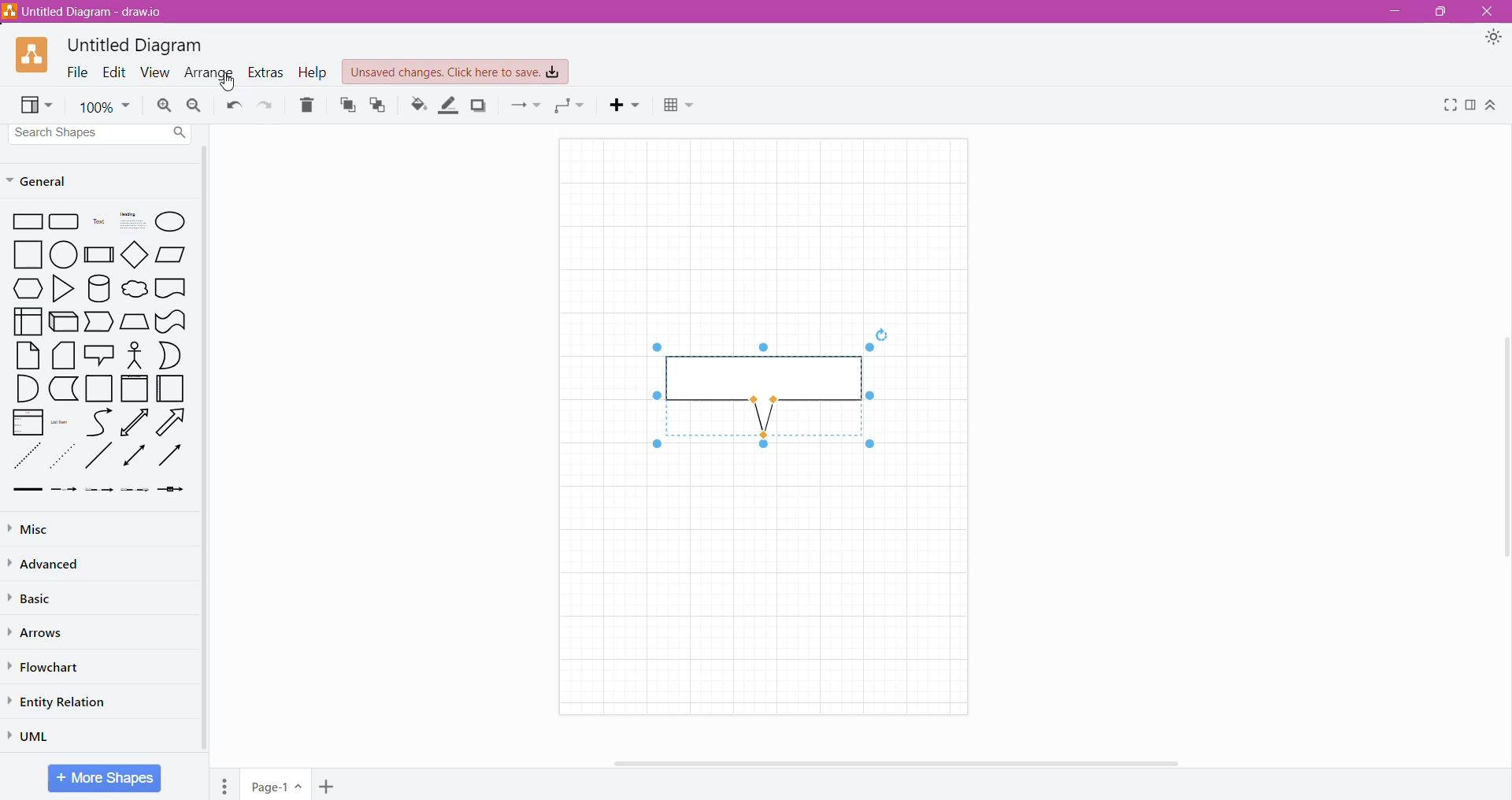  What do you see at coordinates (1492, 106) in the screenshot?
I see `Expand/Collapse` at bounding box center [1492, 106].